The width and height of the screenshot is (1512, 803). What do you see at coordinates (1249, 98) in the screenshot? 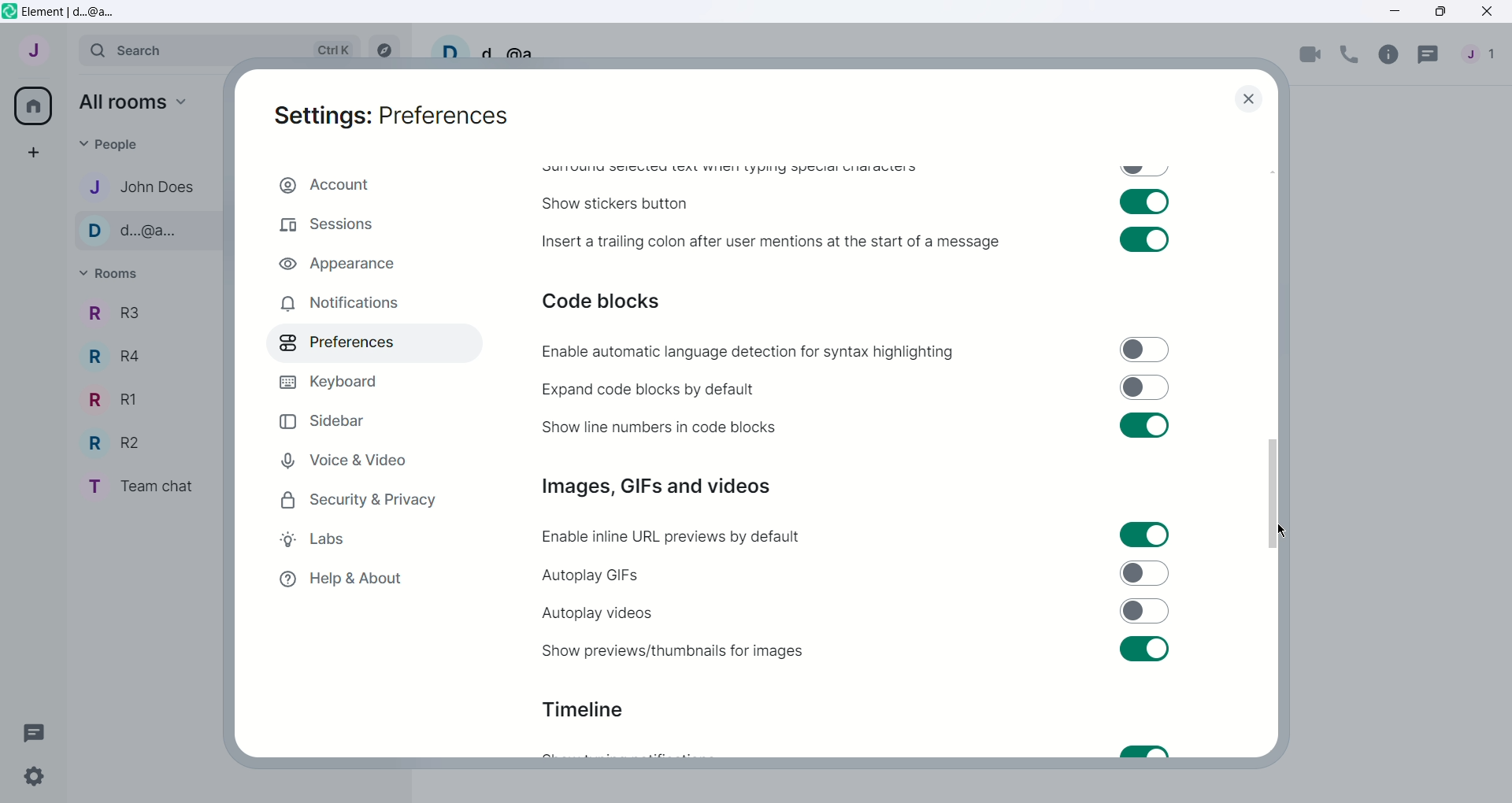
I see `close` at bounding box center [1249, 98].